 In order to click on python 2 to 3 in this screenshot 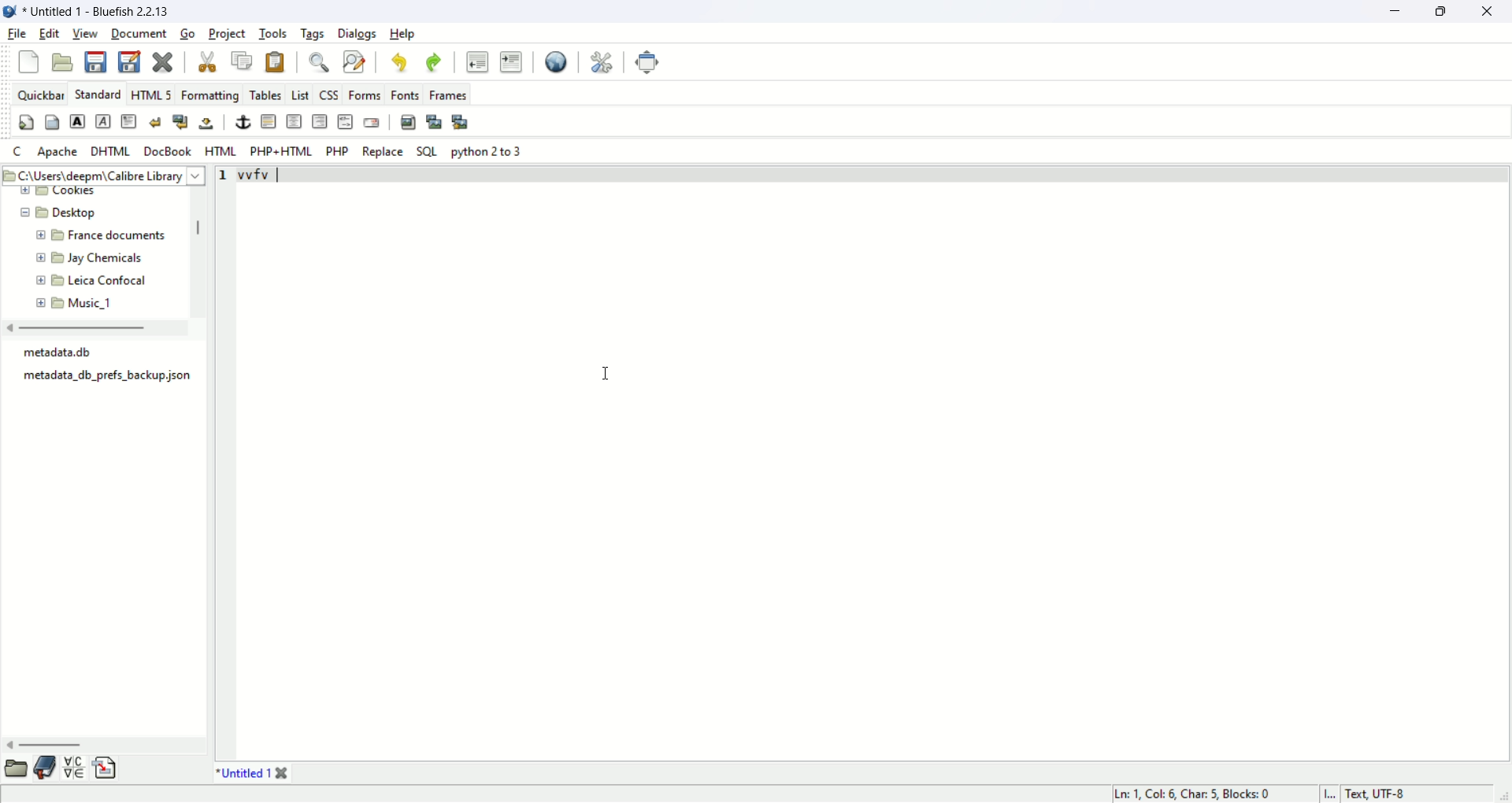, I will do `click(485, 152)`.